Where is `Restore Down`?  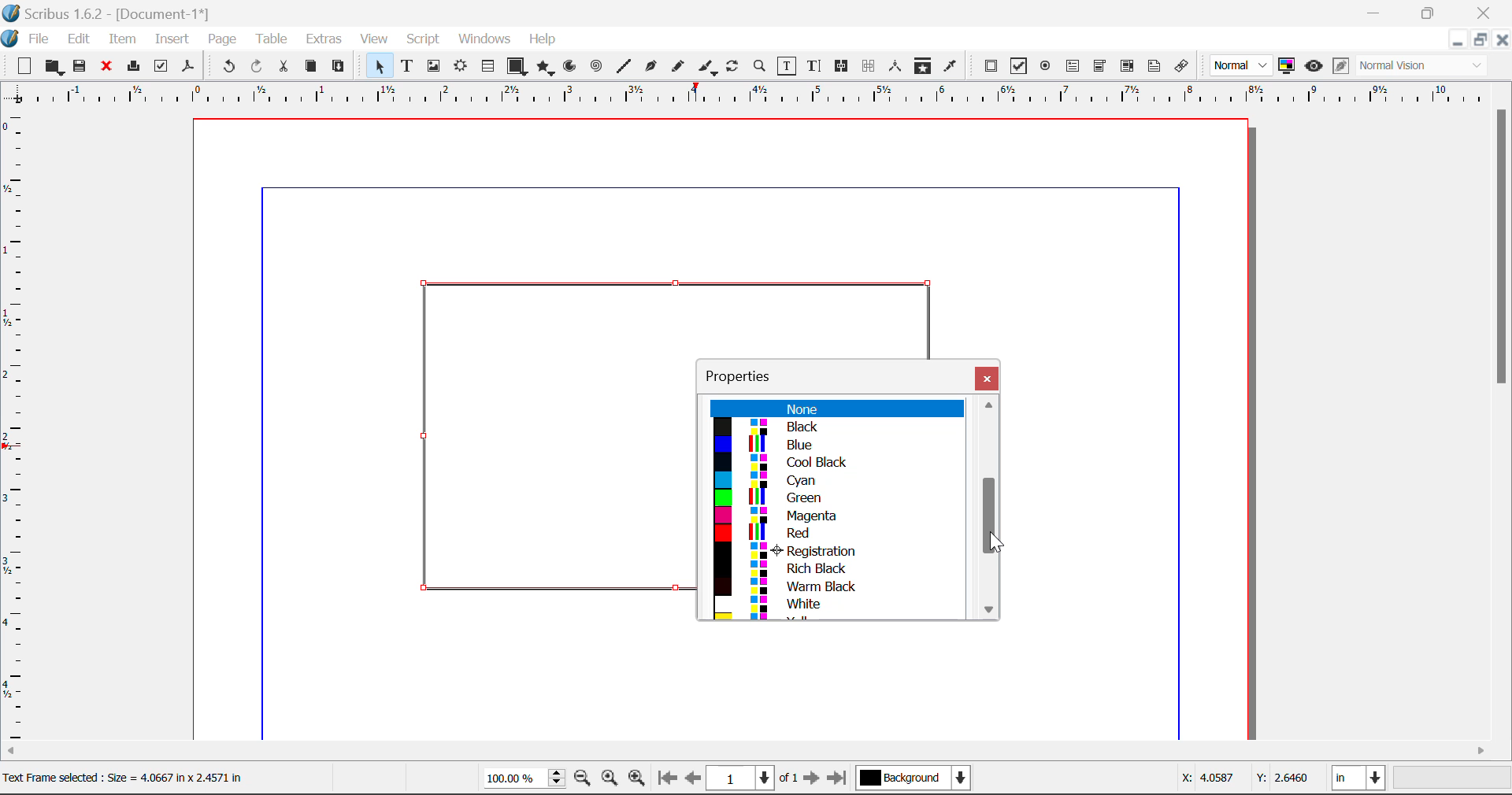
Restore Down is located at coordinates (1457, 39).